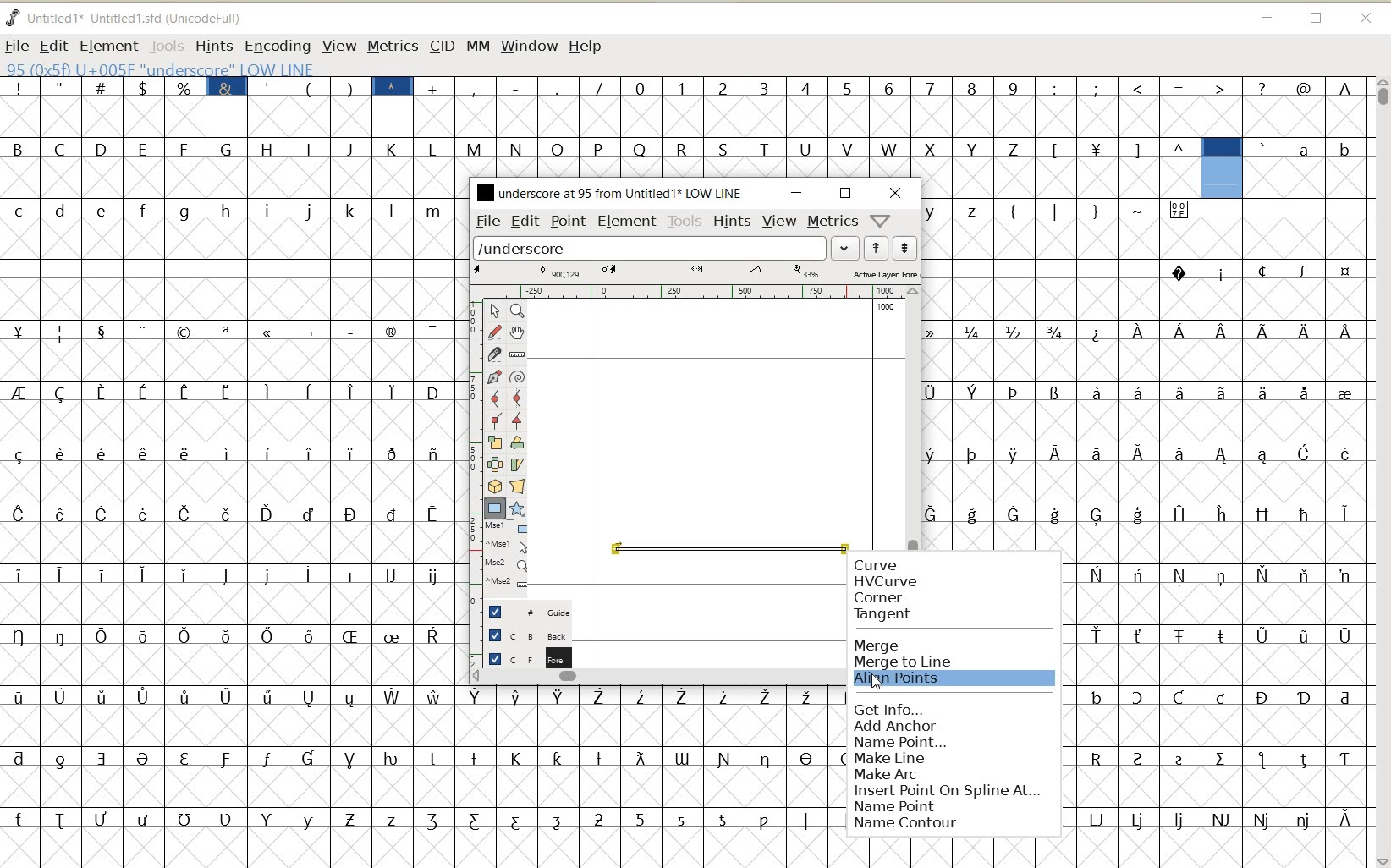  I want to click on an underscore with a unique twist creation, so click(726, 552).